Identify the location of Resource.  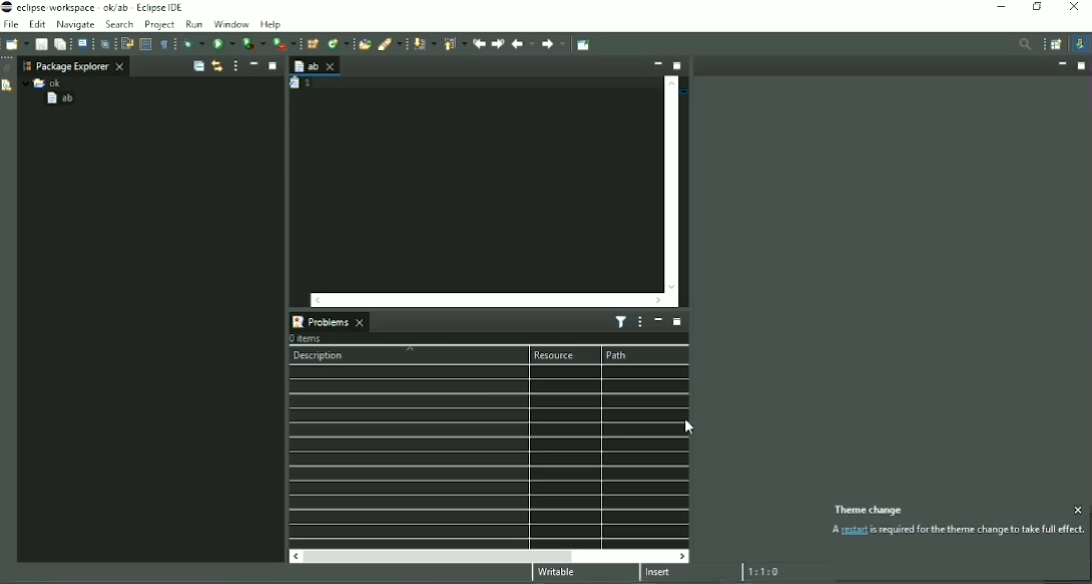
(557, 354).